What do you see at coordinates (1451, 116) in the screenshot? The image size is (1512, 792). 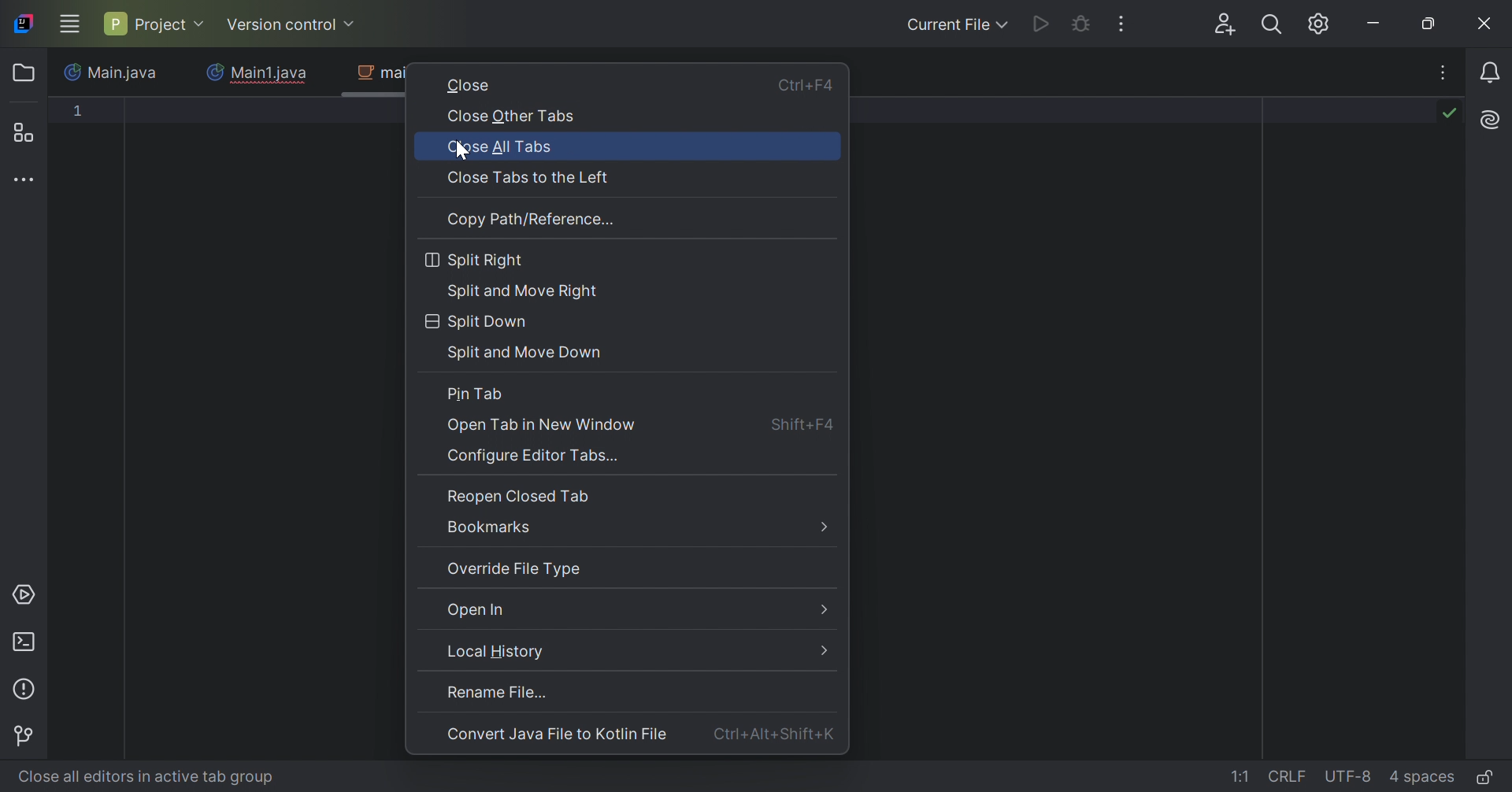 I see `No problems found` at bounding box center [1451, 116].